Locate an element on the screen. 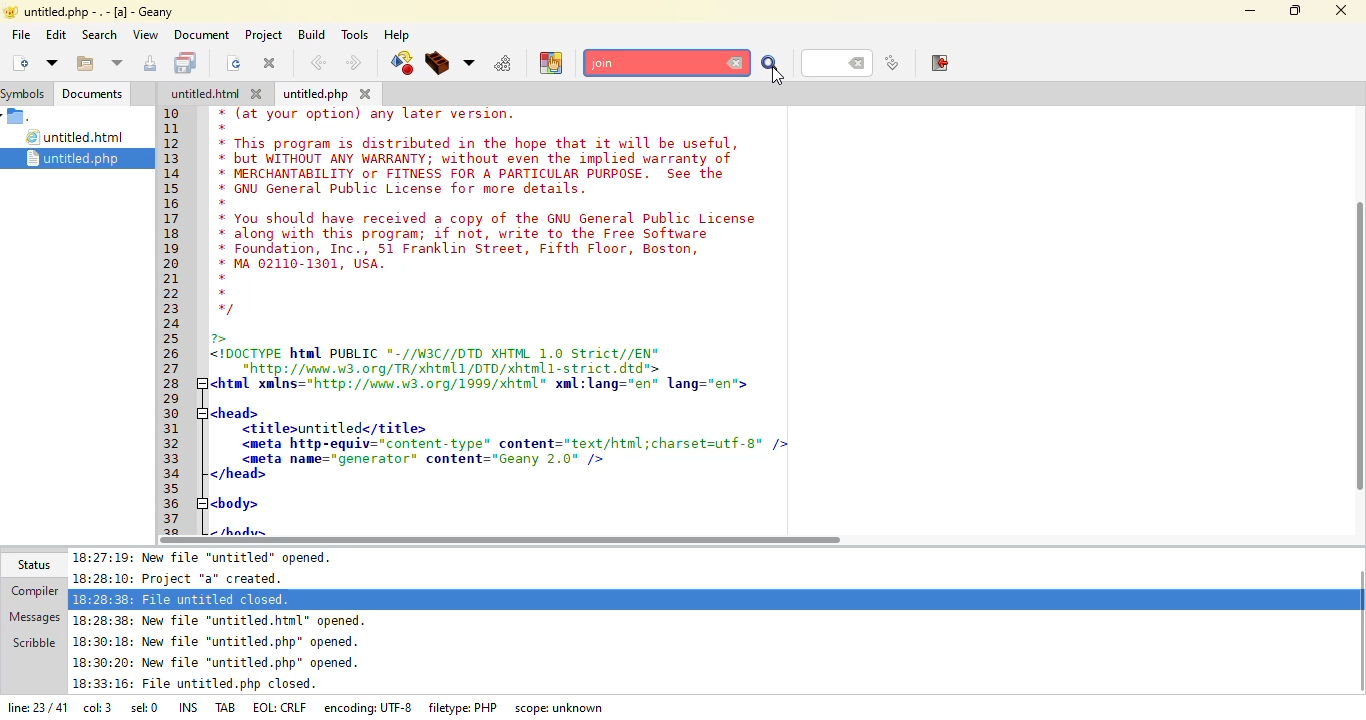 This screenshot has width=1366, height=720. search line number is located at coordinates (836, 62).